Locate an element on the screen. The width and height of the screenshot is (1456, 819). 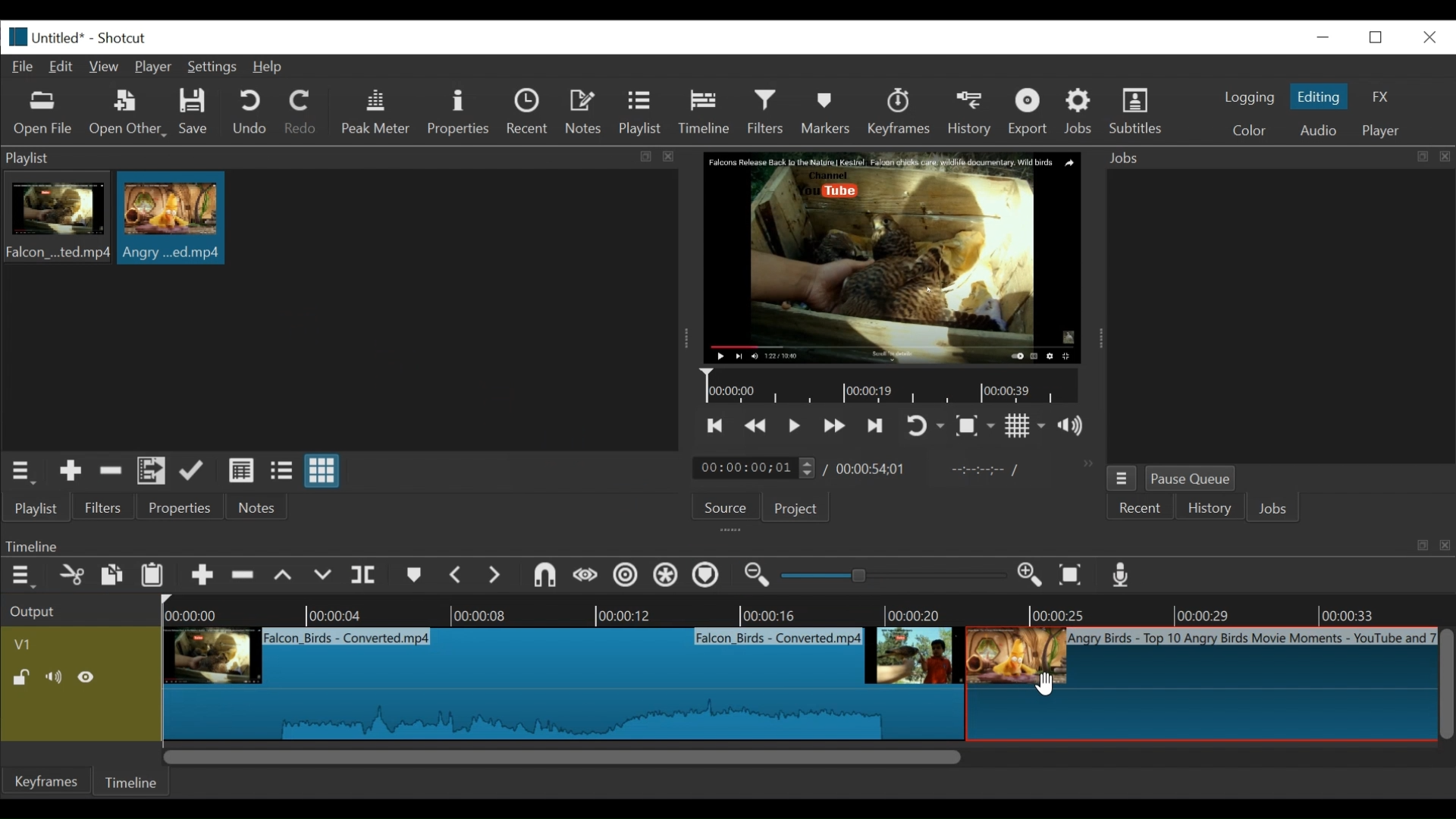
Audio is located at coordinates (1317, 130).